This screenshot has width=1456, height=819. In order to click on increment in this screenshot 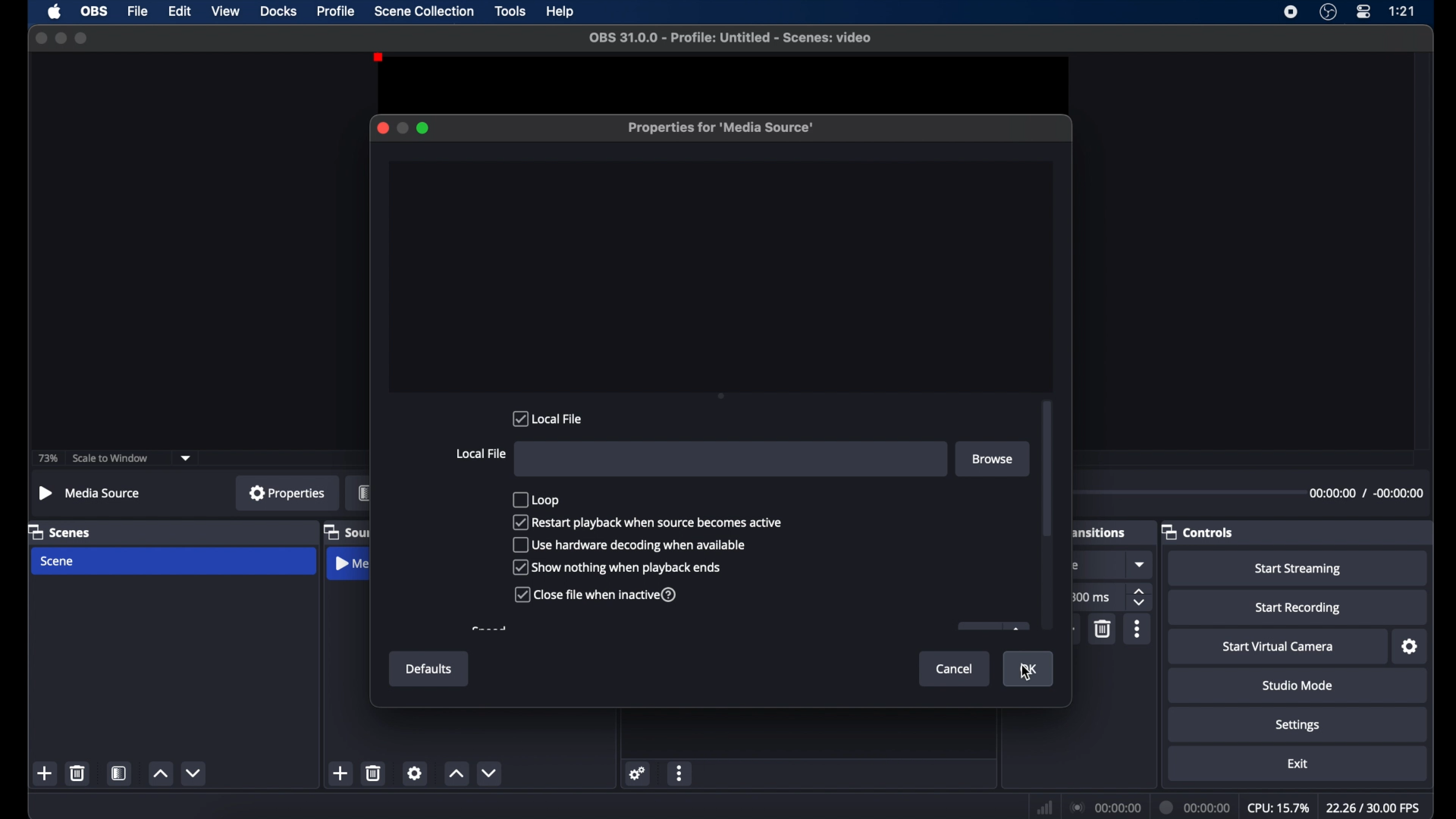, I will do `click(159, 773)`.